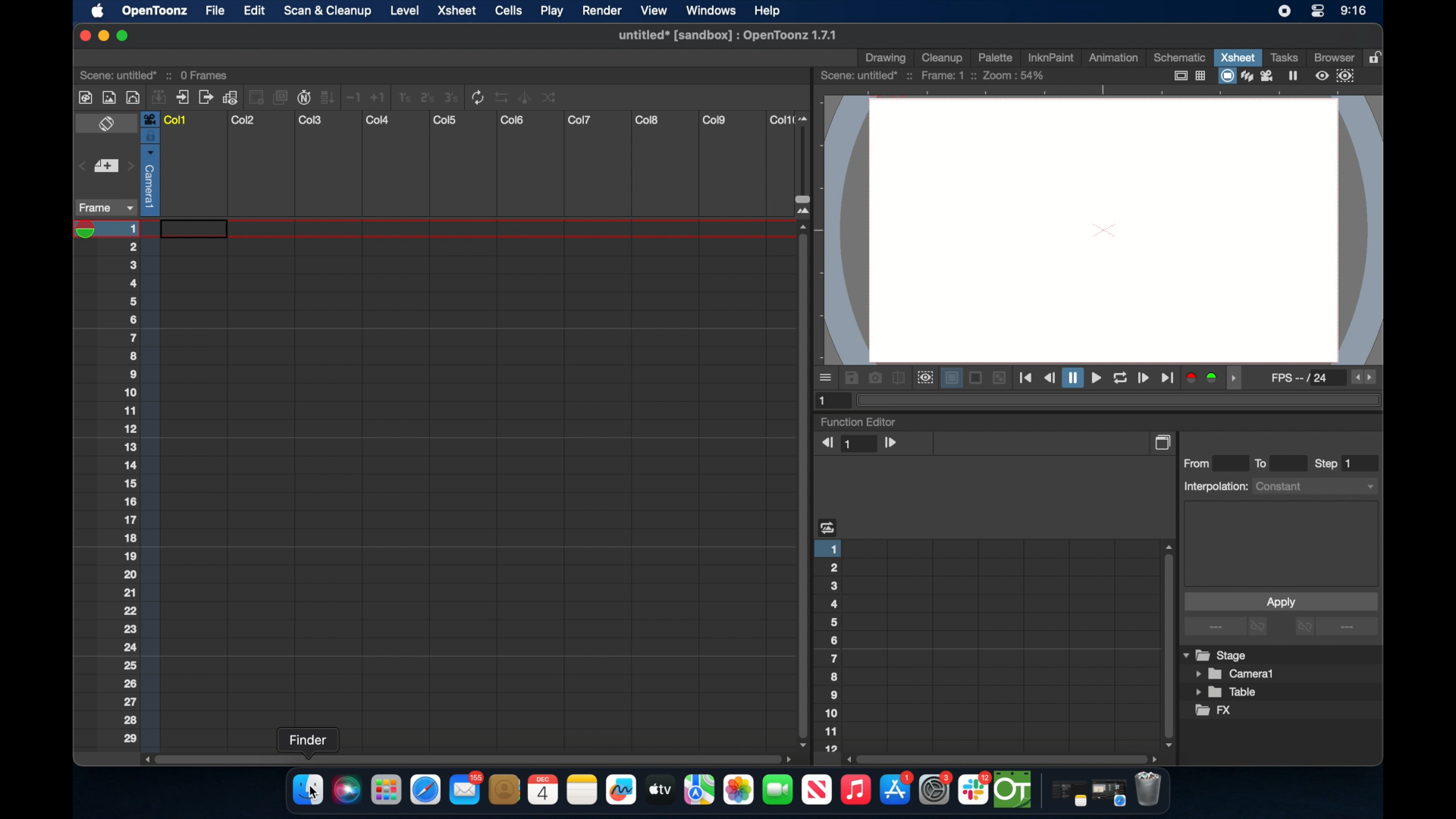 Image resolution: width=1456 pixels, height=819 pixels. Describe the element at coordinates (996, 57) in the screenshot. I see `palette` at that location.